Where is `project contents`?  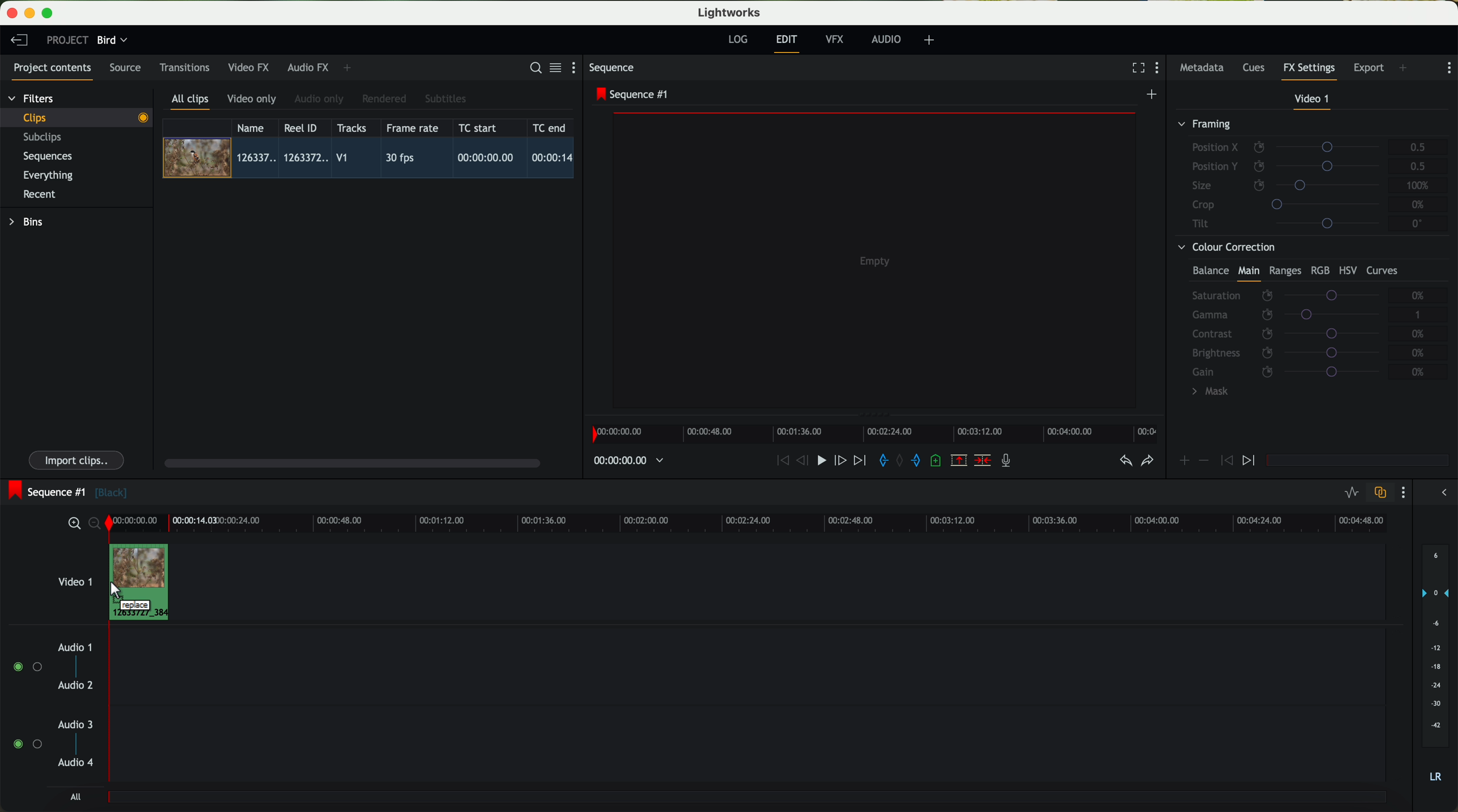
project contents is located at coordinates (53, 71).